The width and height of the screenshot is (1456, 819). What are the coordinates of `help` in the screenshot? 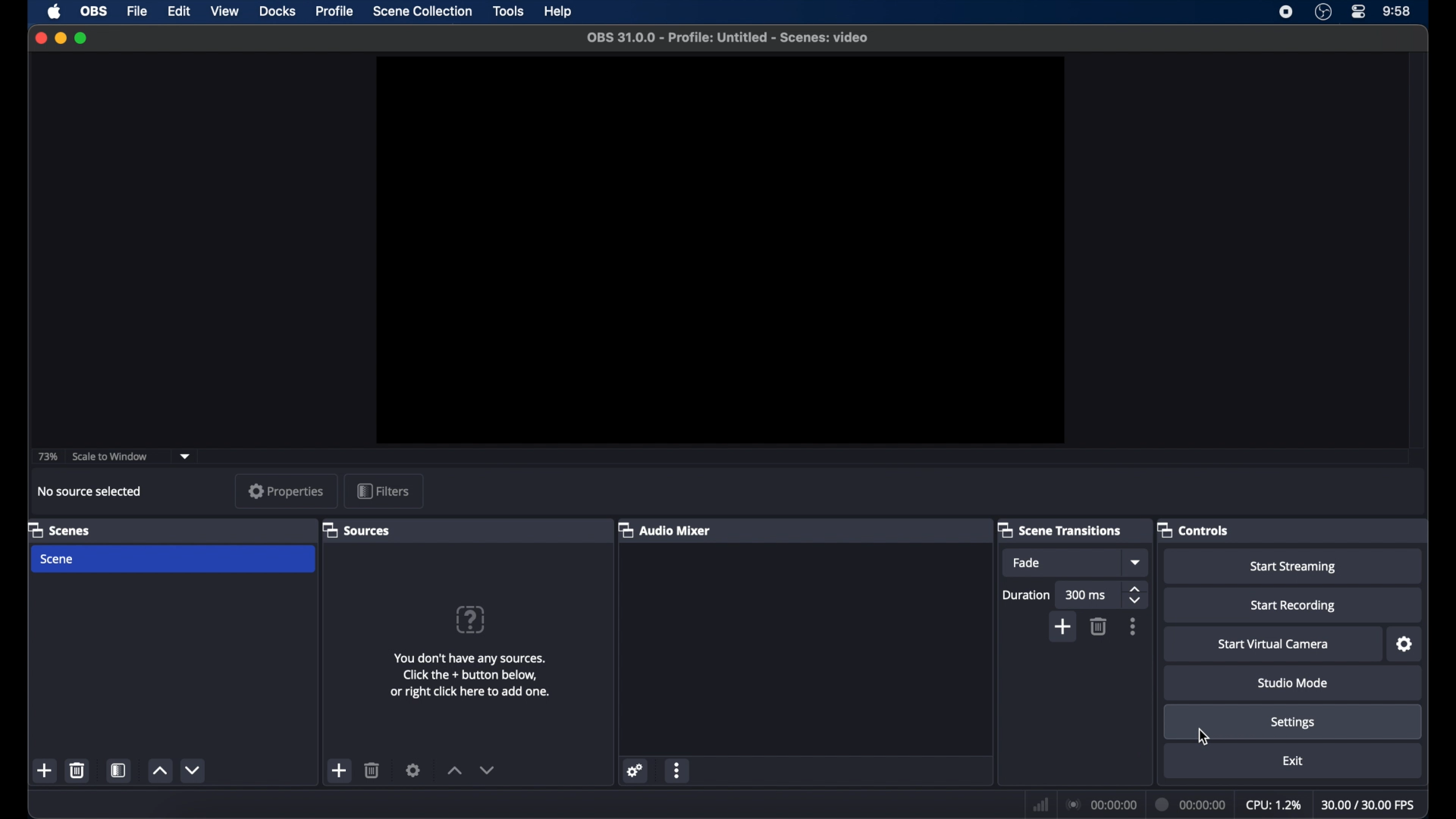 It's located at (559, 12).